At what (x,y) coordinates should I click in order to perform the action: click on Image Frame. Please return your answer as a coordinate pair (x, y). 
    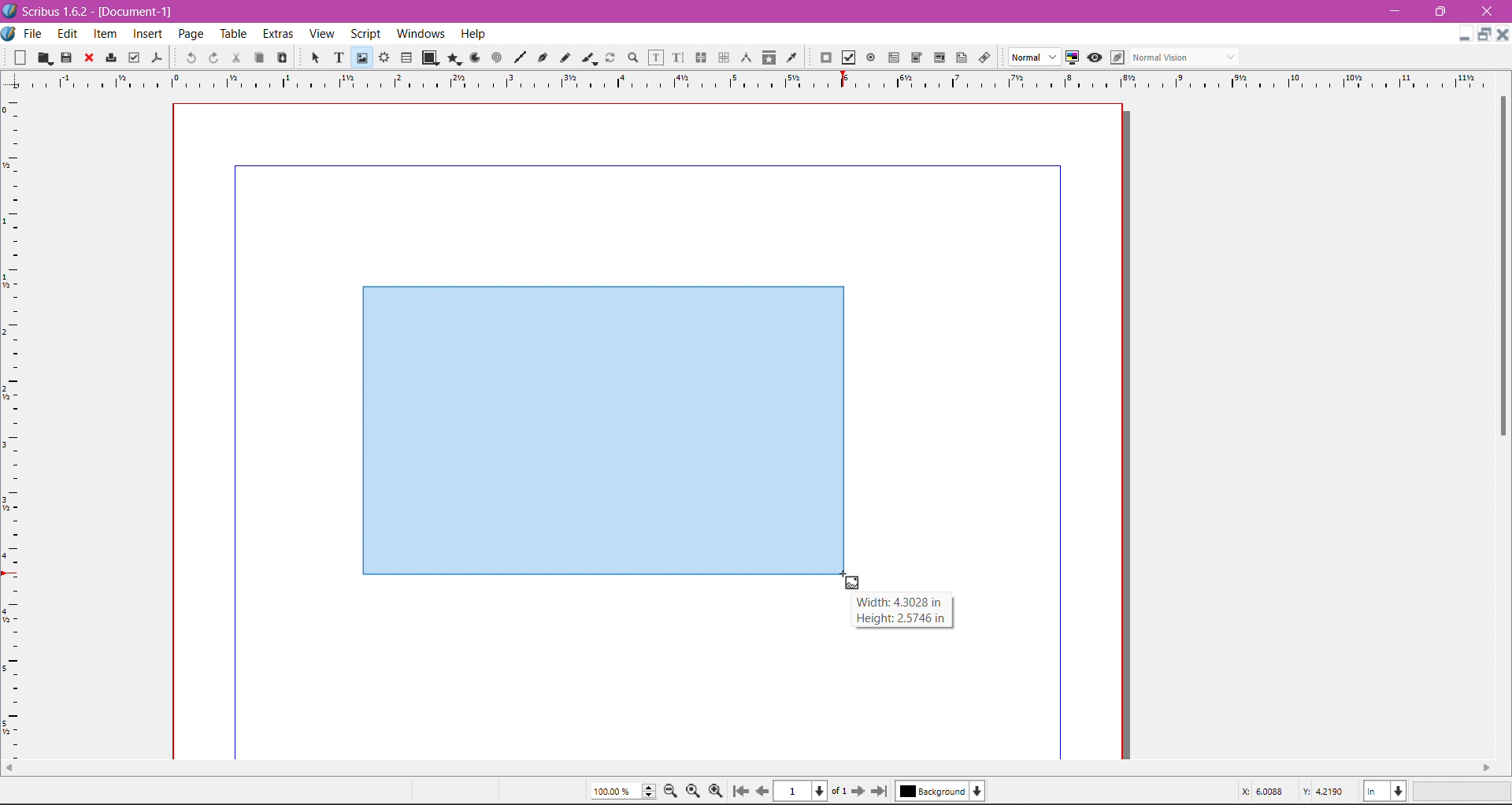
    Looking at the image, I should click on (362, 57).